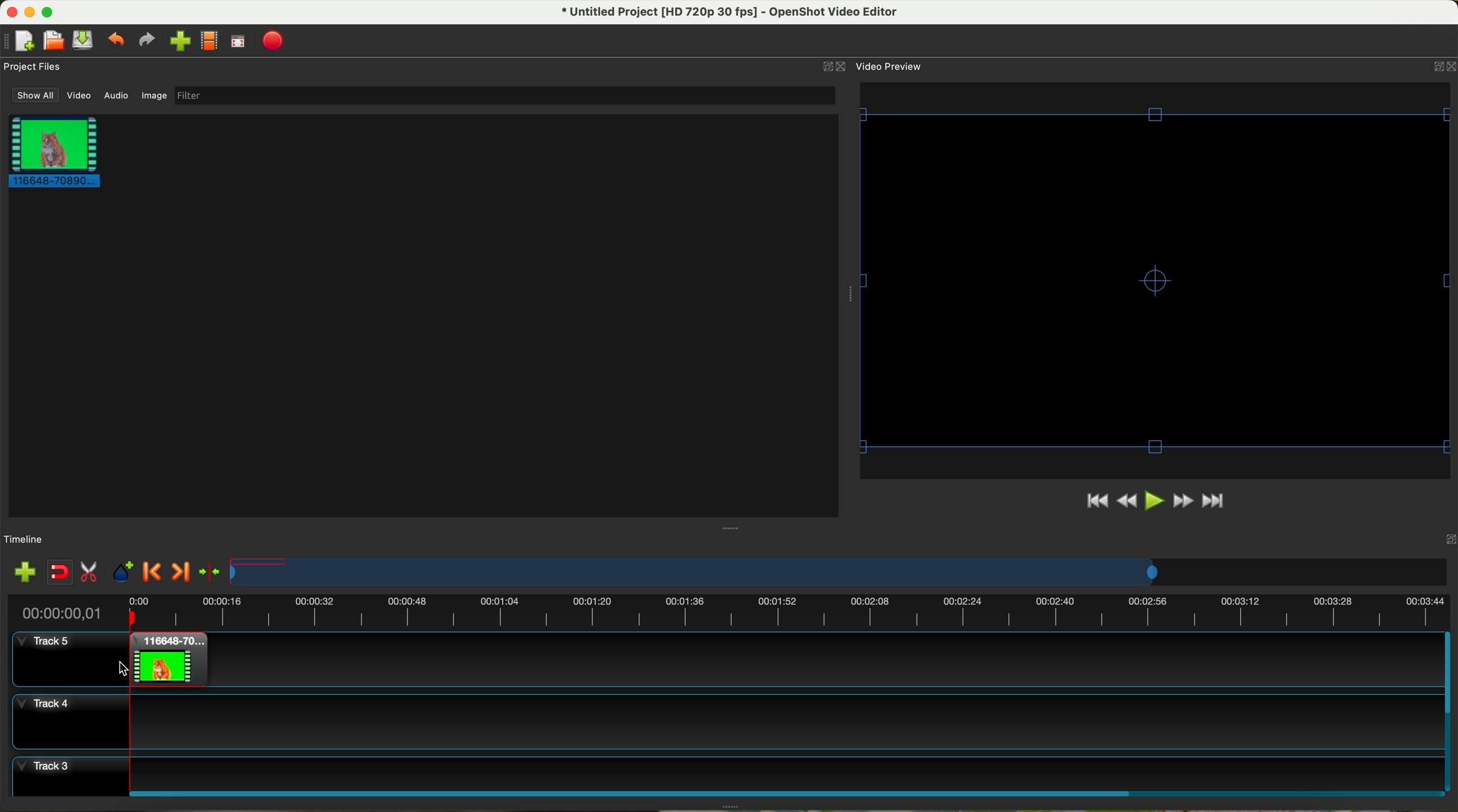  What do you see at coordinates (504, 95) in the screenshot?
I see `filter` at bounding box center [504, 95].